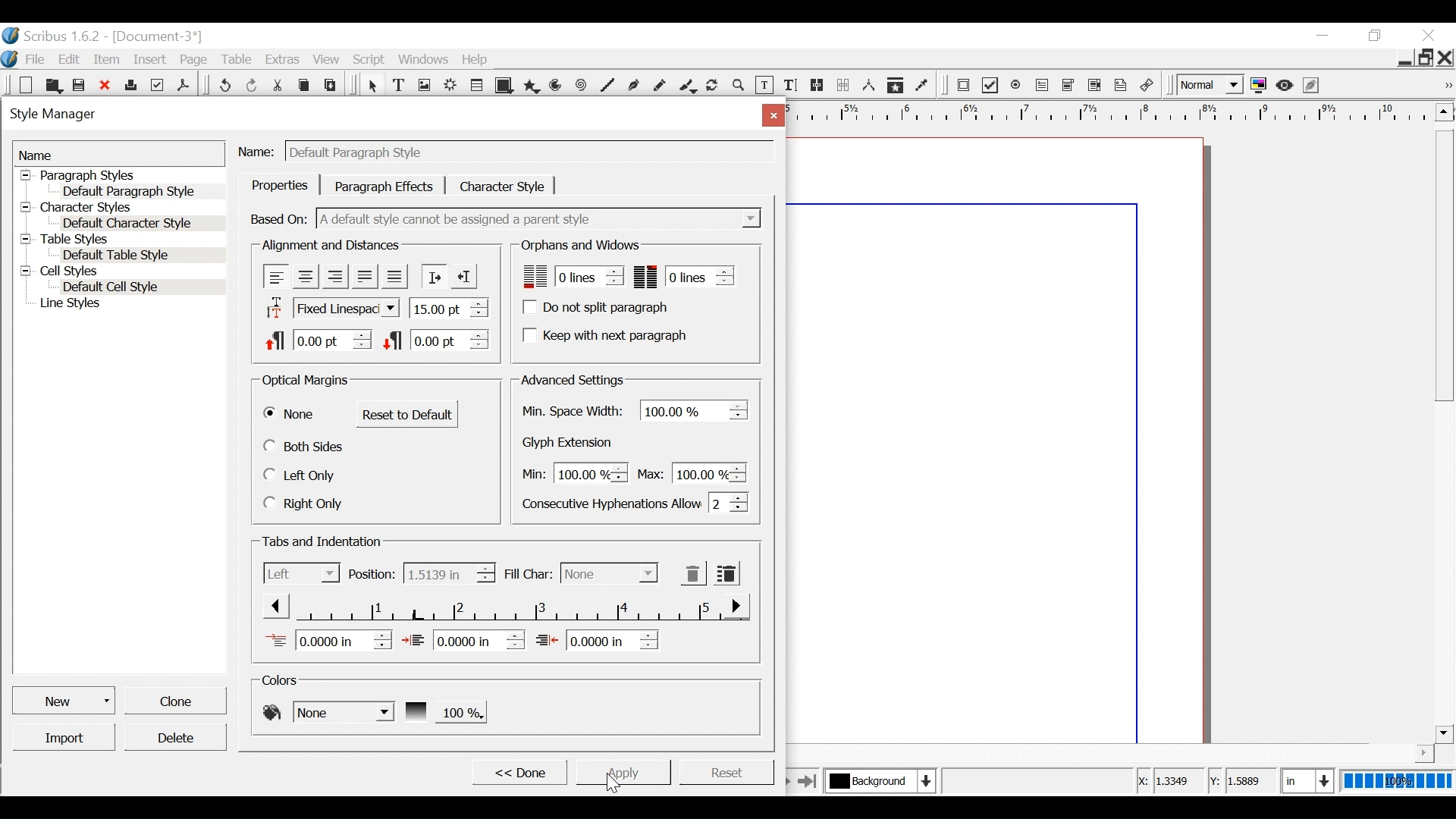 This screenshot has height=819, width=1456. What do you see at coordinates (518, 771) in the screenshot?
I see `Done` at bounding box center [518, 771].